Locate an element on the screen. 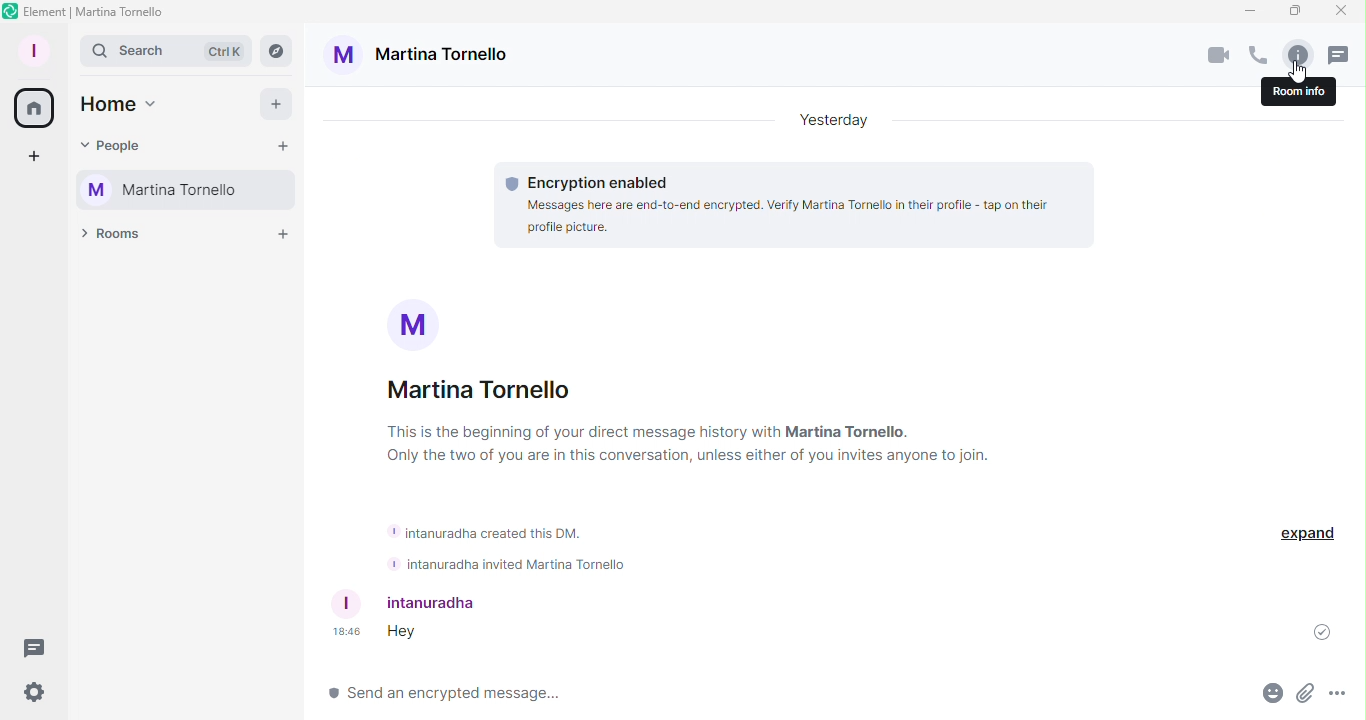 The width and height of the screenshot is (1366, 720). Emoji is located at coordinates (1271, 695).